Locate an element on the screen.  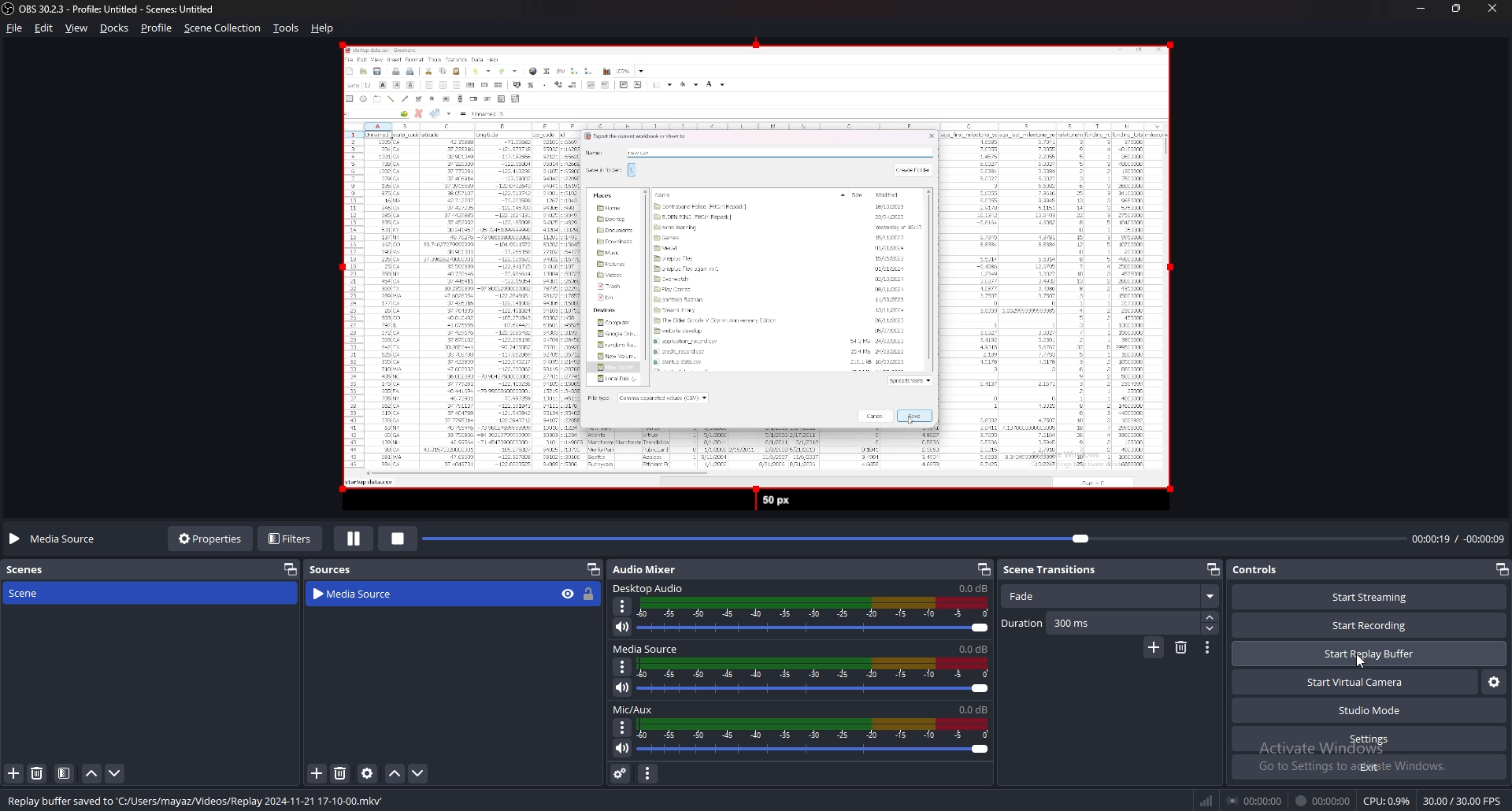
start replay buffer is located at coordinates (1369, 652).